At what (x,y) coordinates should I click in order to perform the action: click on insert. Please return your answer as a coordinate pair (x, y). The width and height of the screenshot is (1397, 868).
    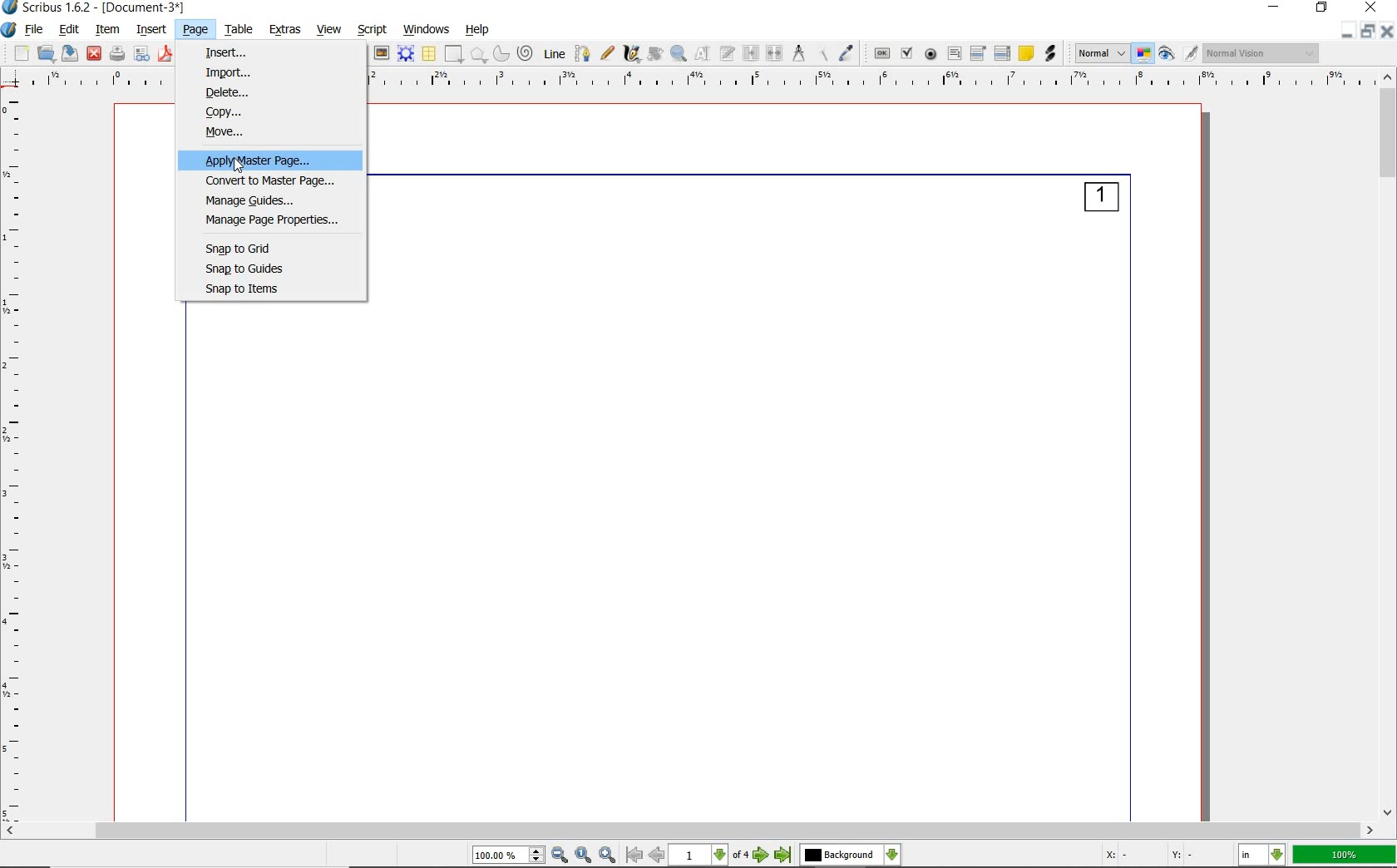
    Looking at the image, I should click on (151, 31).